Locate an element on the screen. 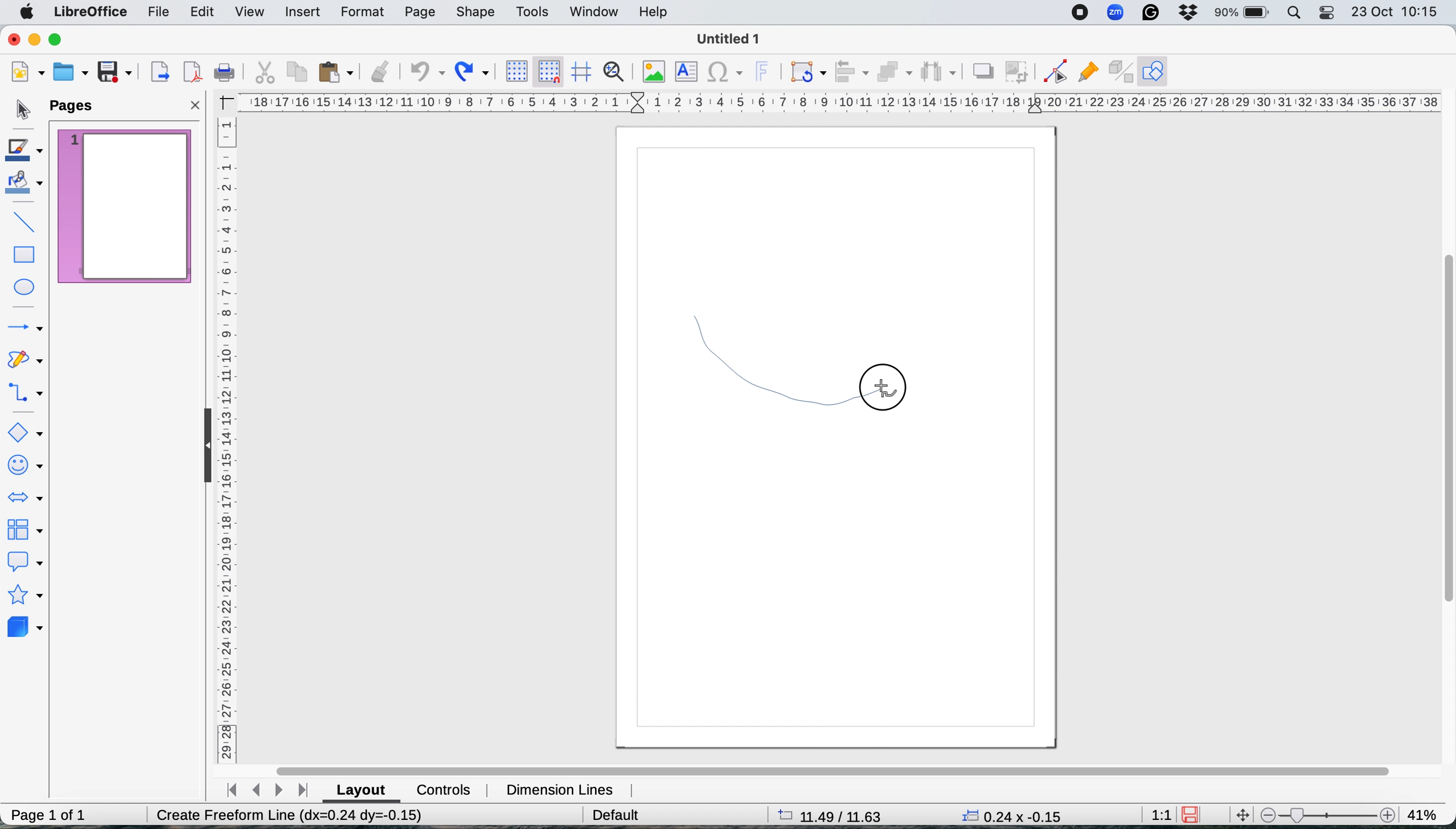 This screenshot has width=1456, height=829. line color is located at coordinates (23, 149).